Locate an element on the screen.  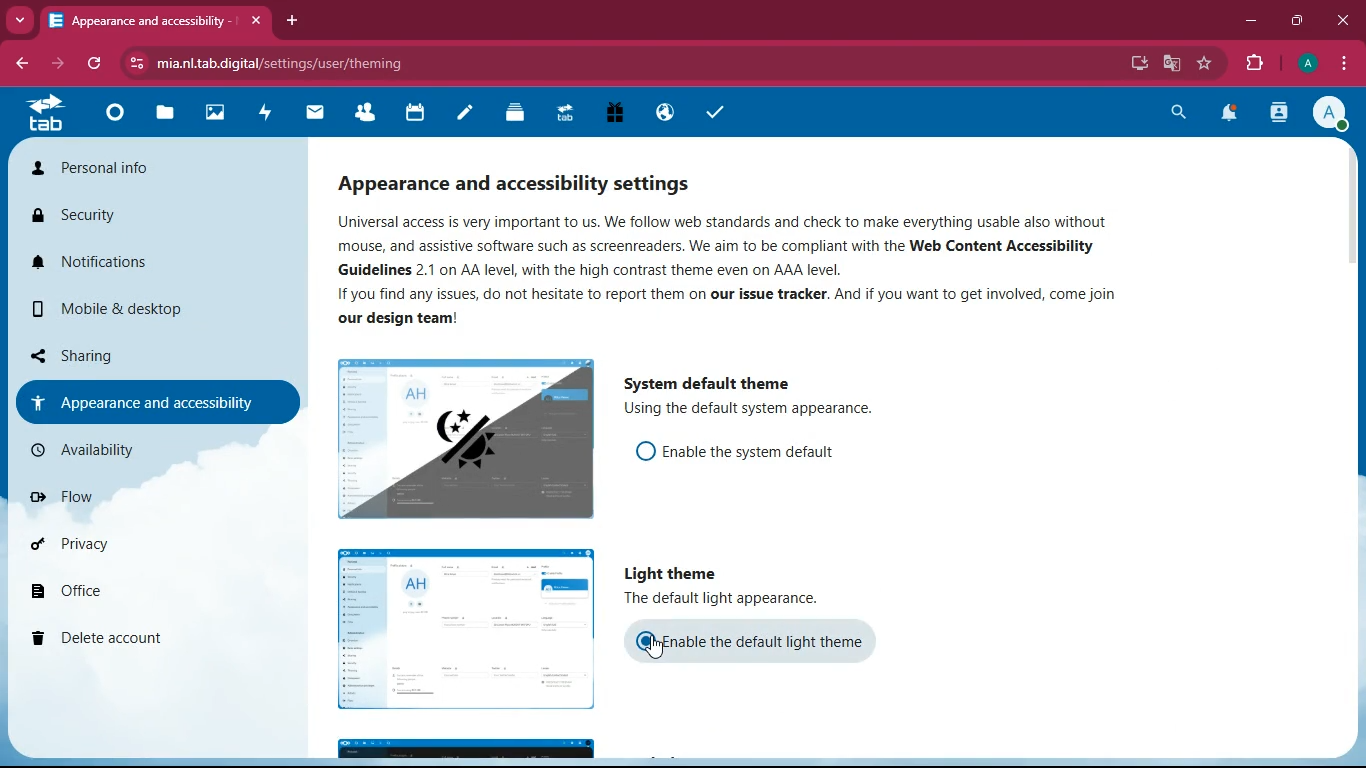
layers is located at coordinates (510, 115).